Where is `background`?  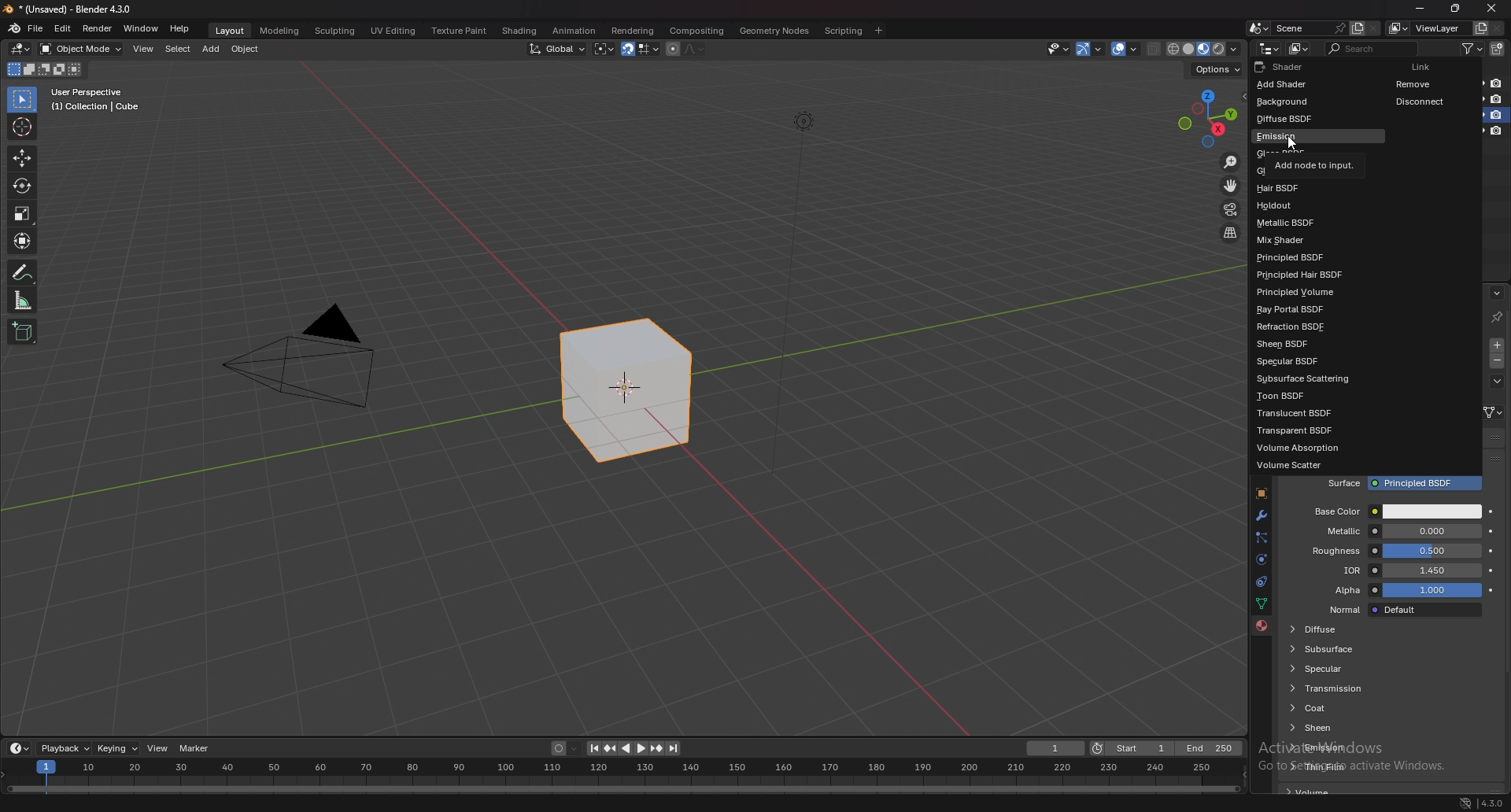
background is located at coordinates (1289, 101).